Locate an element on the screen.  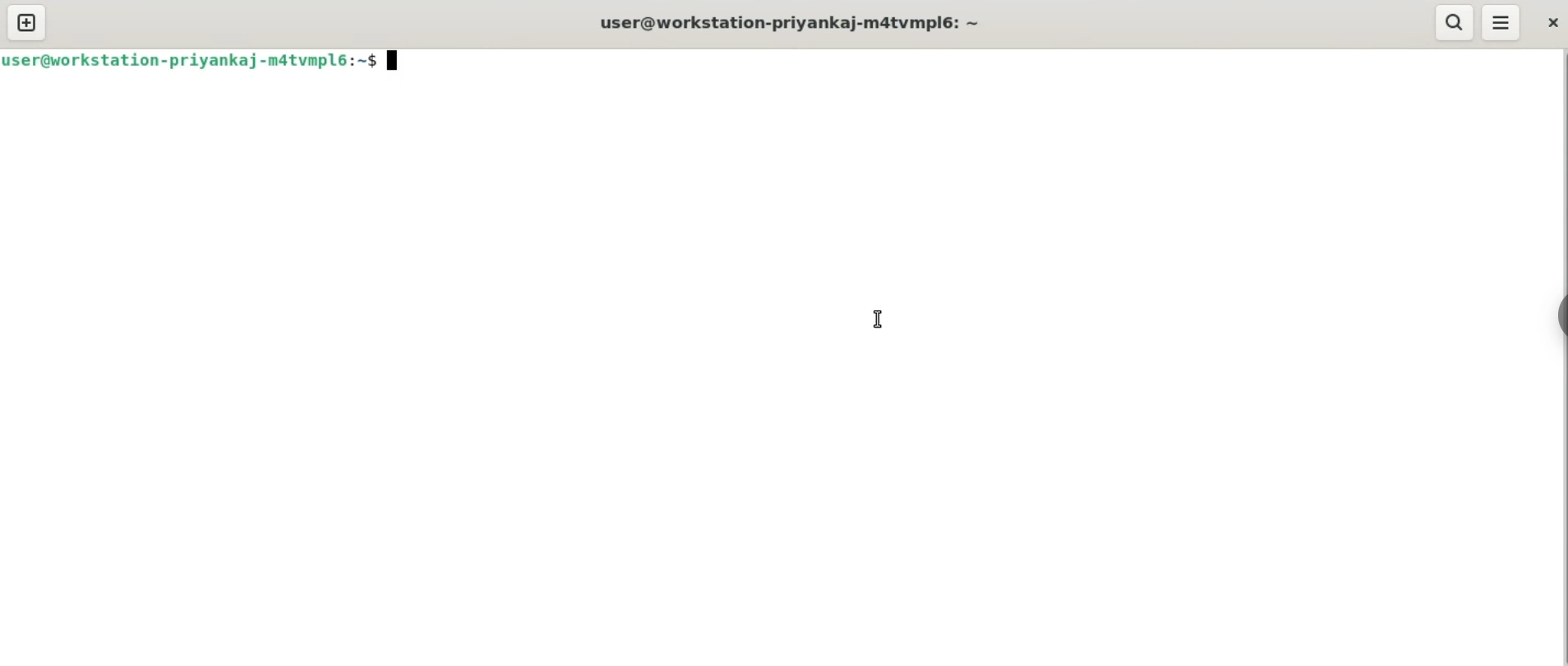
menu is located at coordinates (1502, 21).